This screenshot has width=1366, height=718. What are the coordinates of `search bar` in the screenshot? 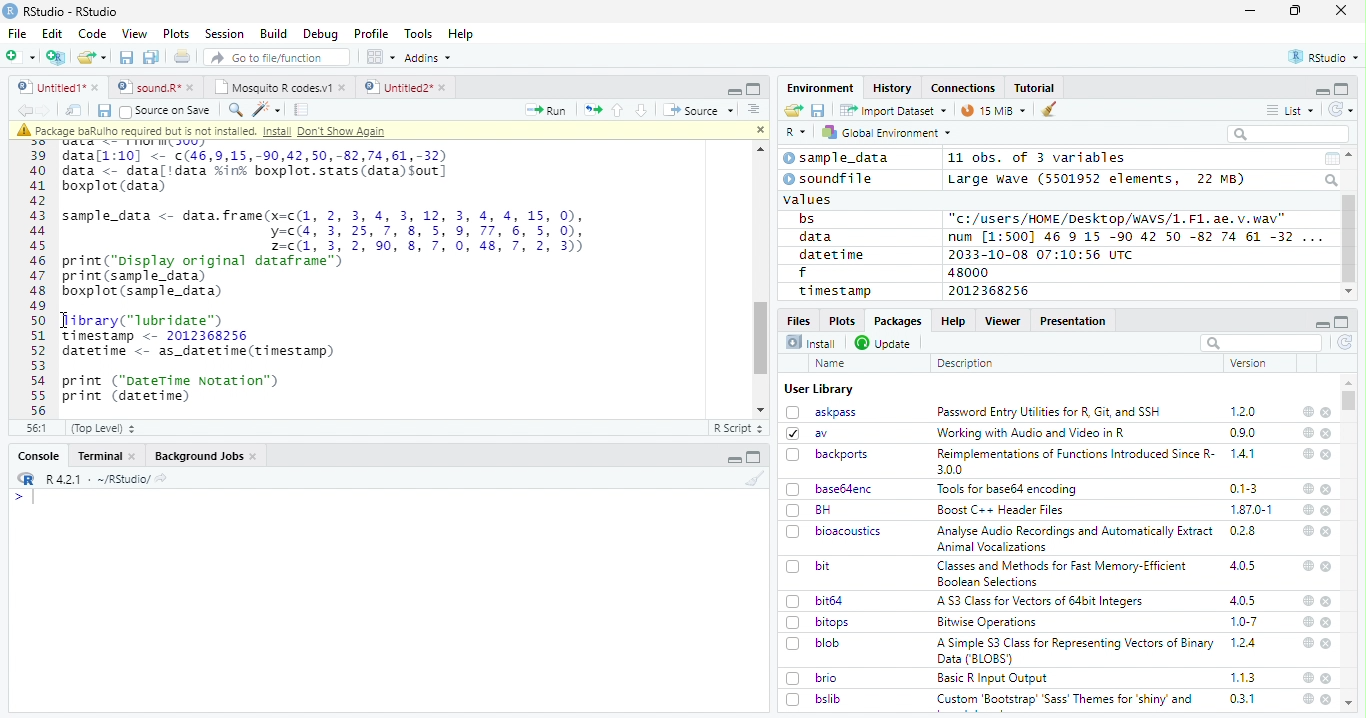 It's located at (1259, 342).